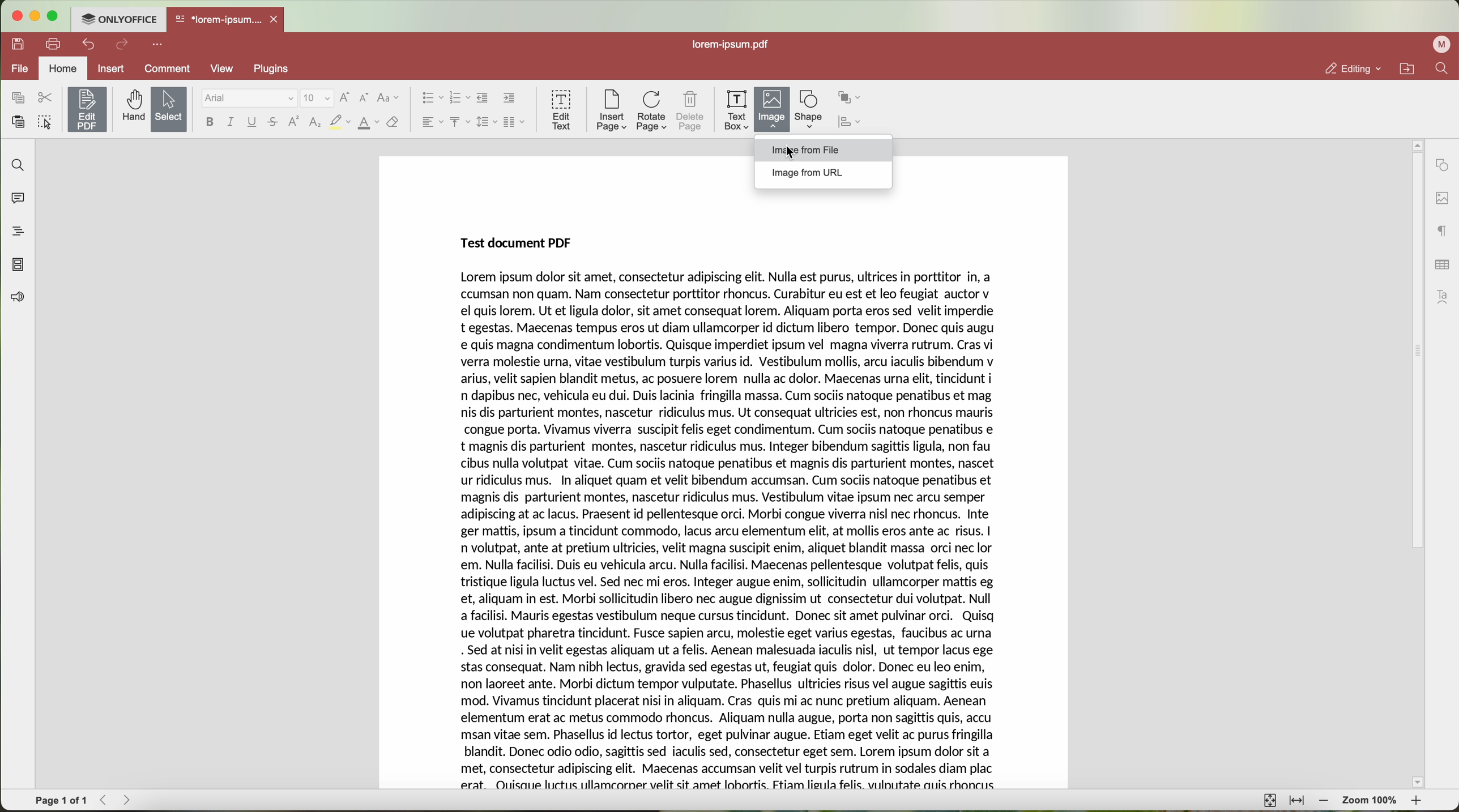 This screenshot has width=1459, height=812. What do you see at coordinates (652, 112) in the screenshot?
I see `rotate page` at bounding box center [652, 112].